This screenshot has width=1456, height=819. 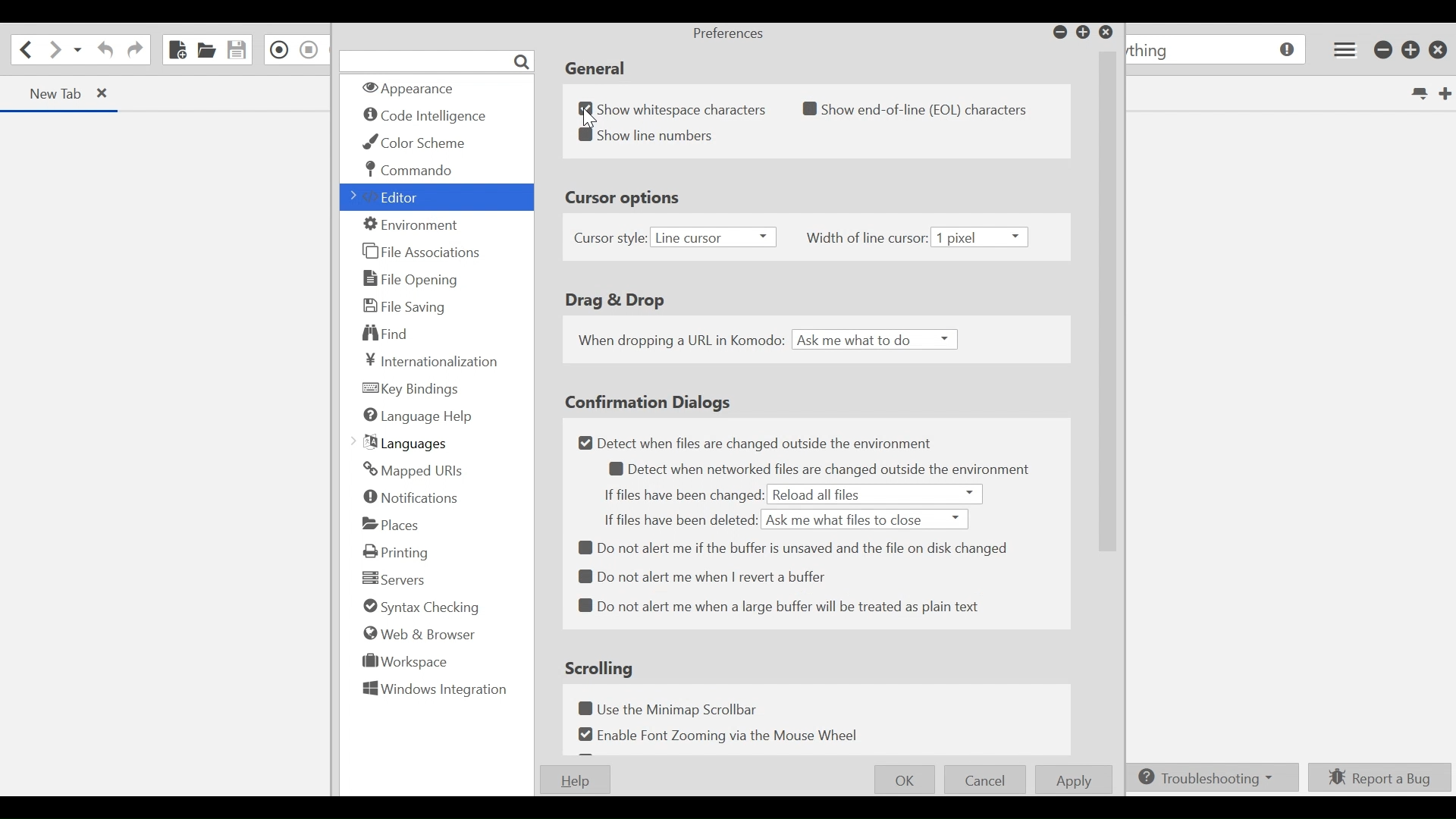 What do you see at coordinates (712, 238) in the screenshot?
I see `Line cursor ` at bounding box center [712, 238].